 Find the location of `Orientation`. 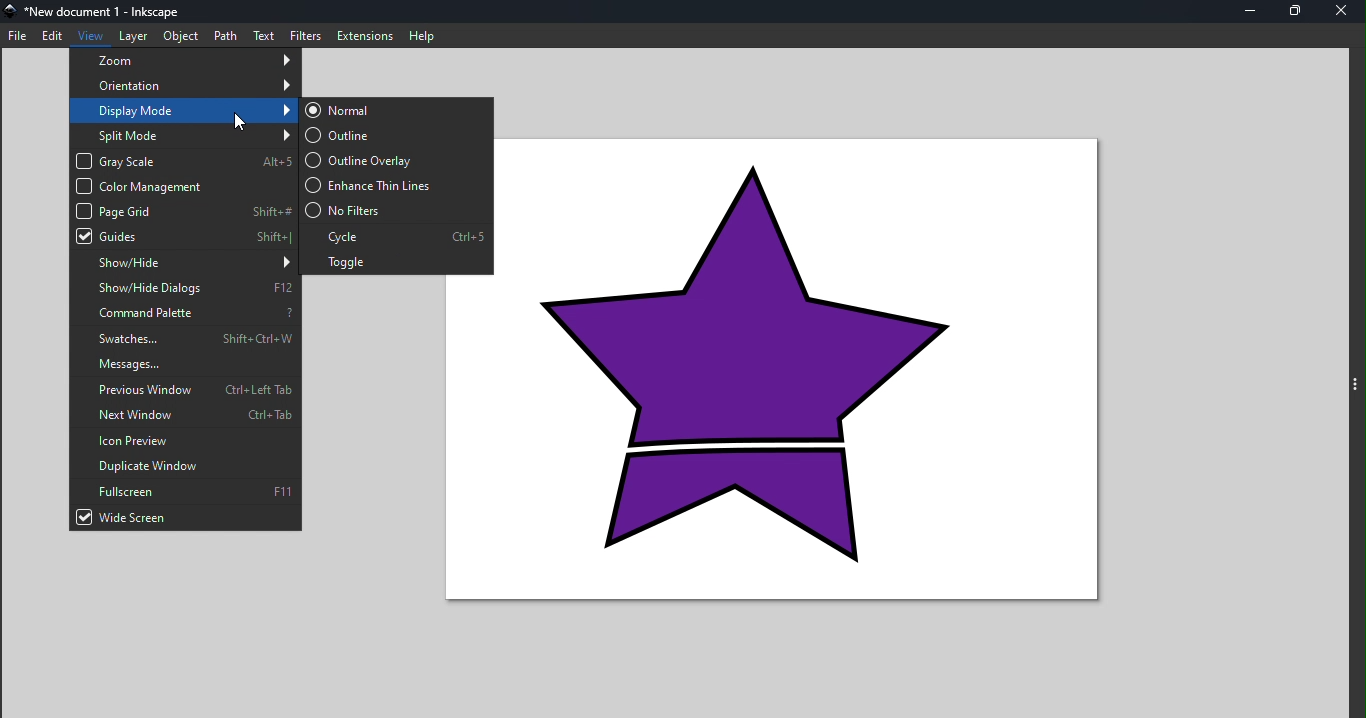

Orientation is located at coordinates (185, 85).